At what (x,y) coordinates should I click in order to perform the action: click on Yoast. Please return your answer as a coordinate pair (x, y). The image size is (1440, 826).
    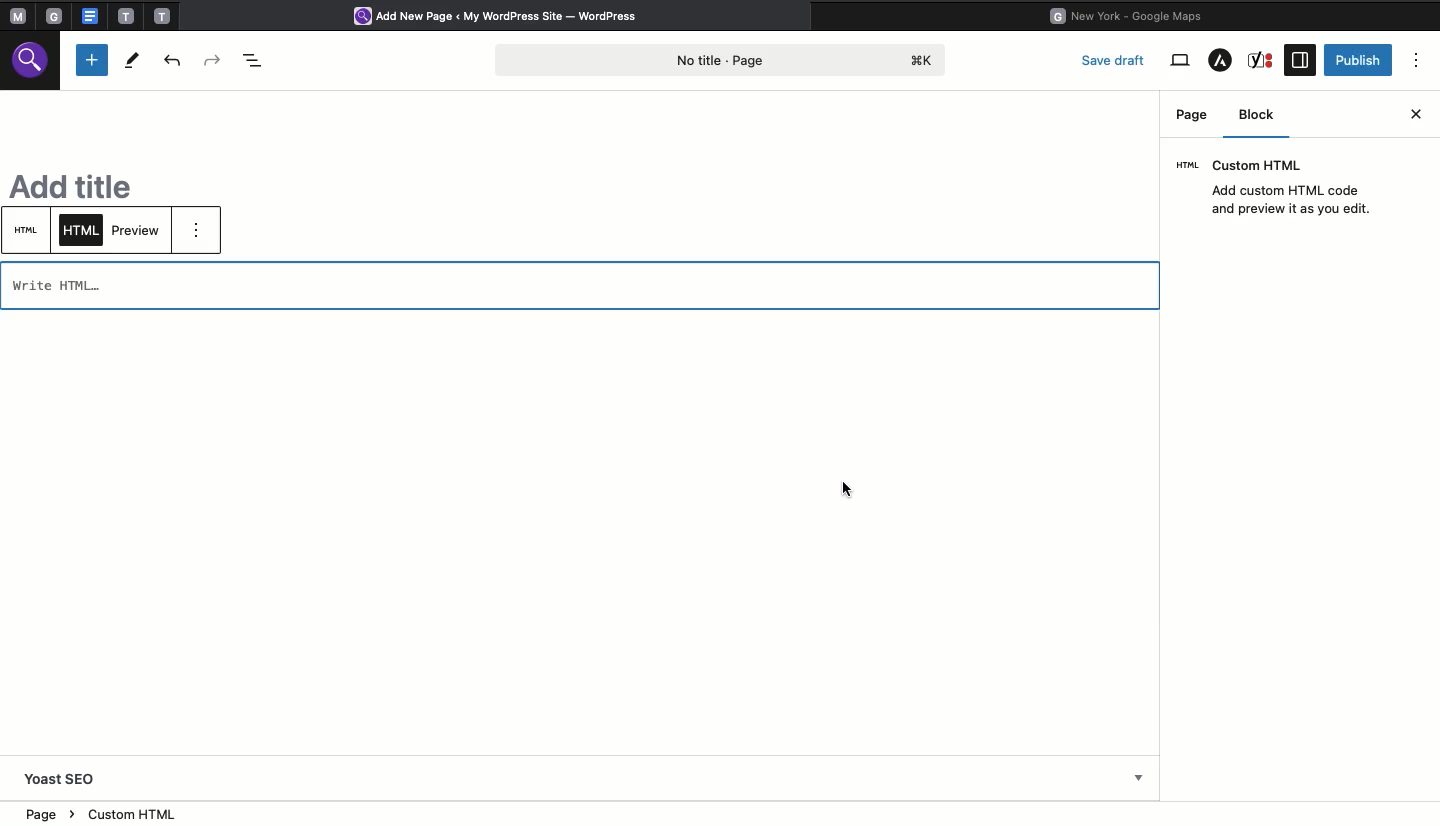
    Looking at the image, I should click on (1263, 60).